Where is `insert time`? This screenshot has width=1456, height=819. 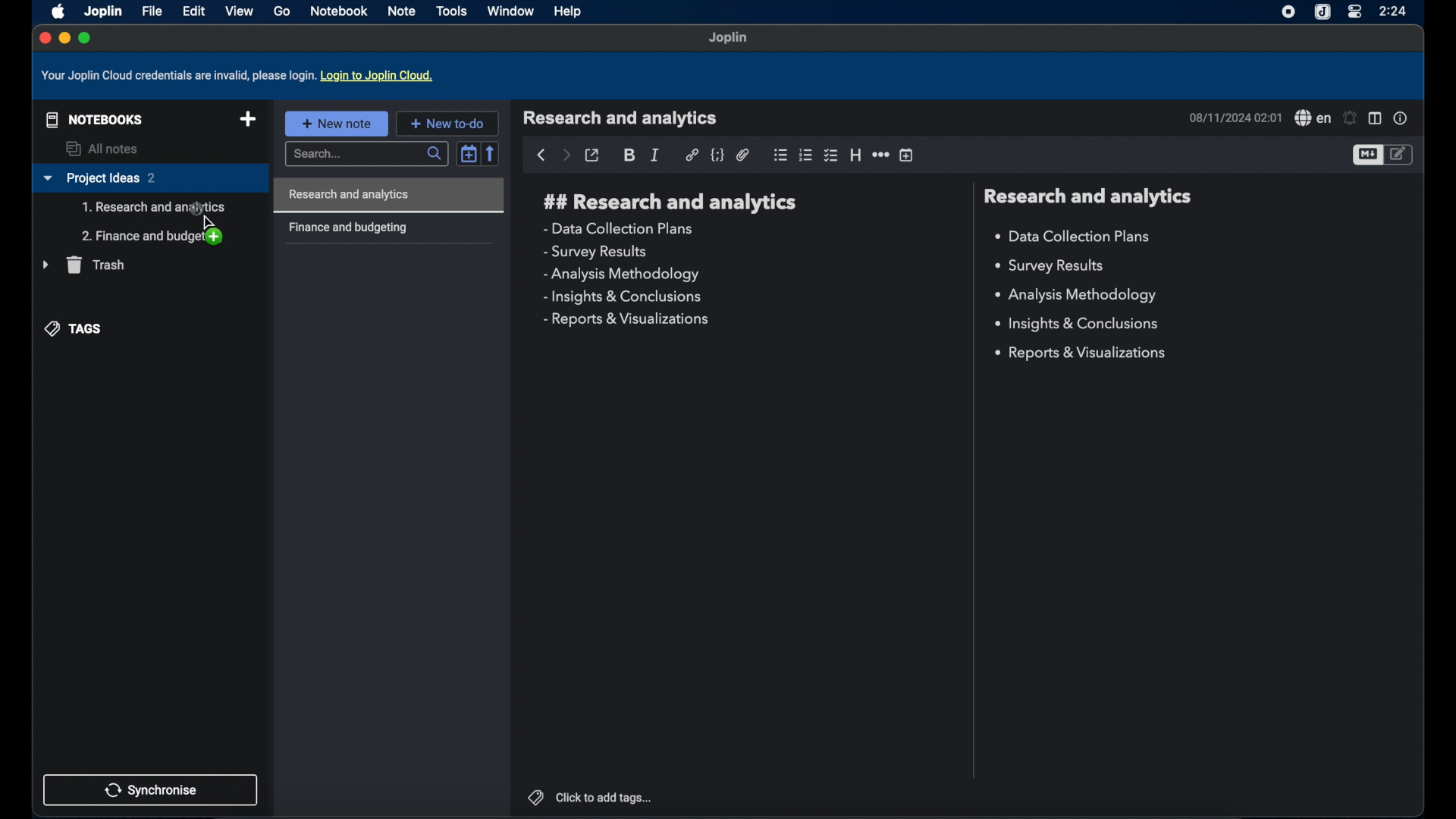
insert time is located at coordinates (908, 155).